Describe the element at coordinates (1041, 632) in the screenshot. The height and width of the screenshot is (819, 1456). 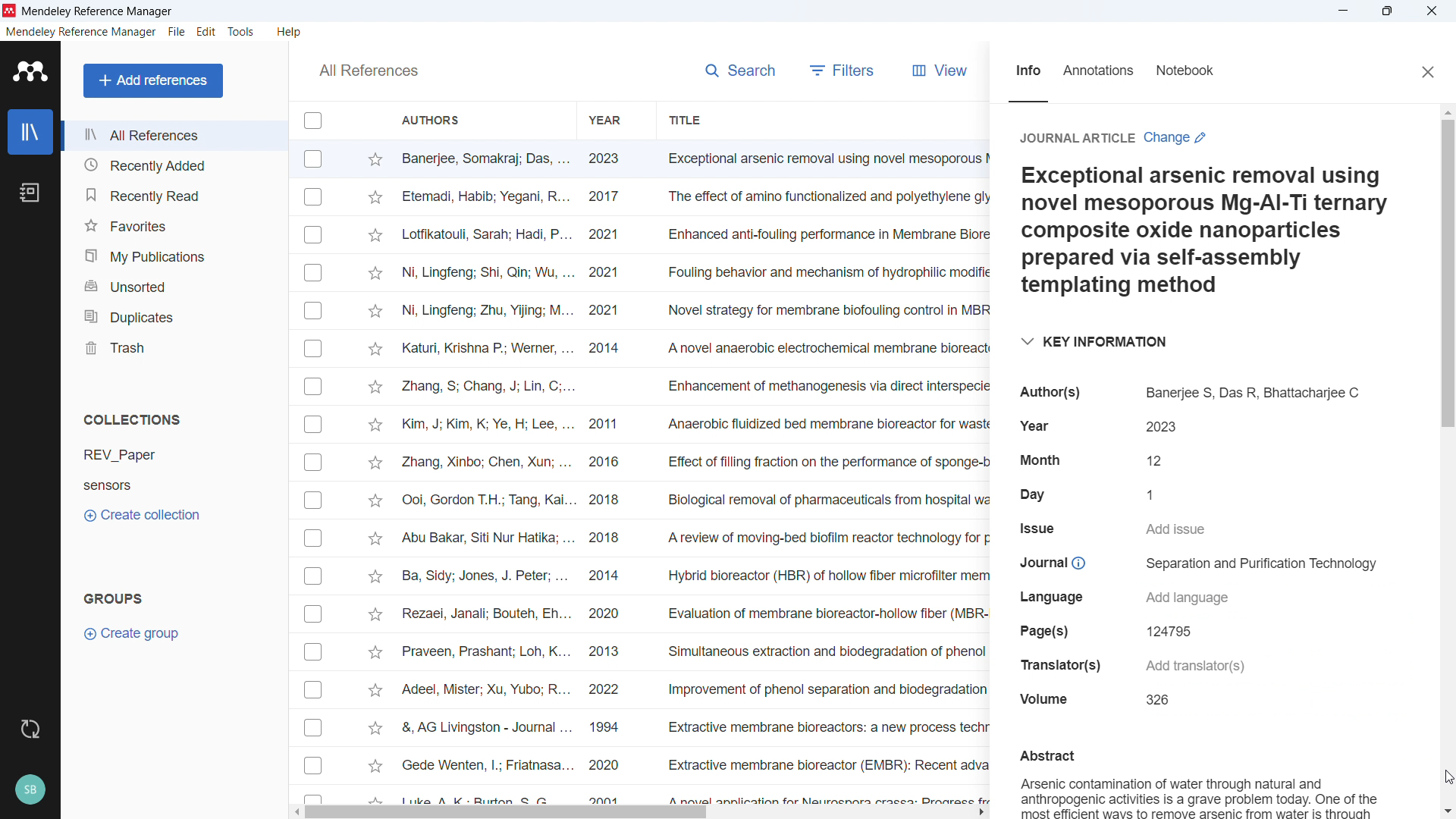
I see `page(s)` at that location.